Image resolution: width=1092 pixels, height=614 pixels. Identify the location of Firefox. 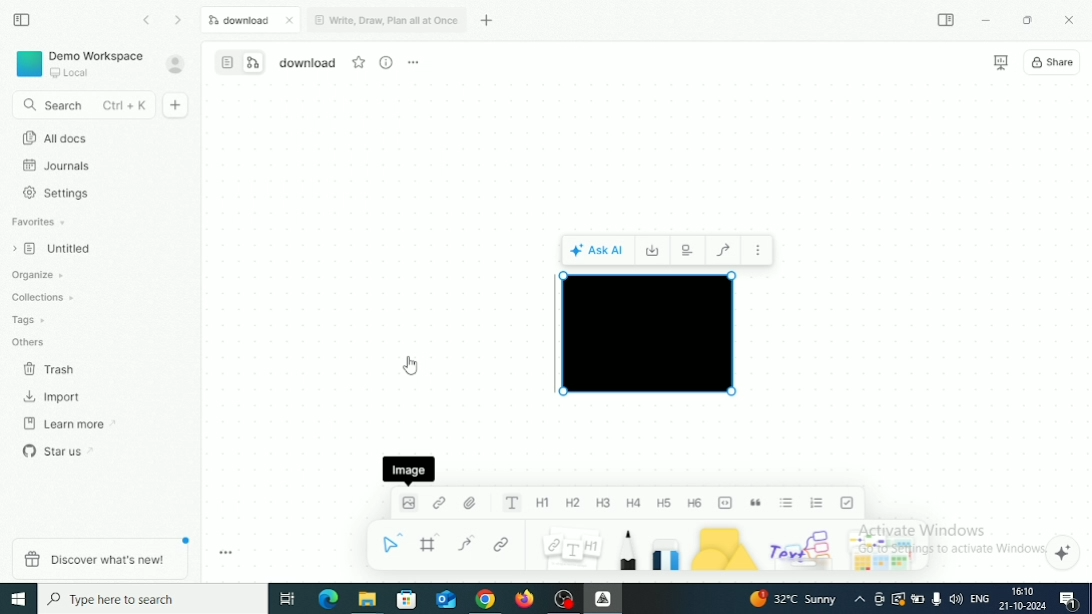
(526, 600).